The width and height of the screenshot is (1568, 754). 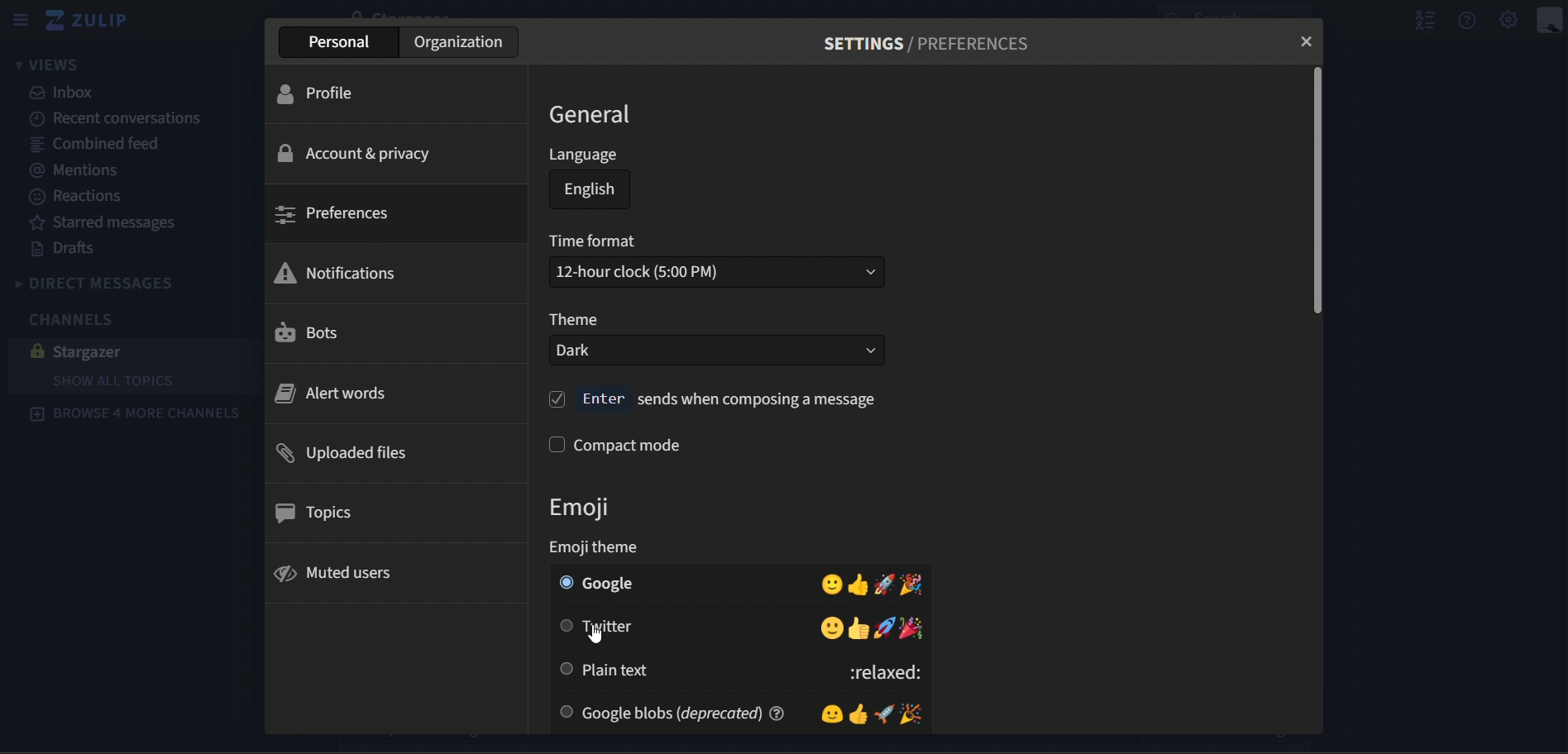 What do you see at coordinates (345, 453) in the screenshot?
I see `uploaded files` at bounding box center [345, 453].